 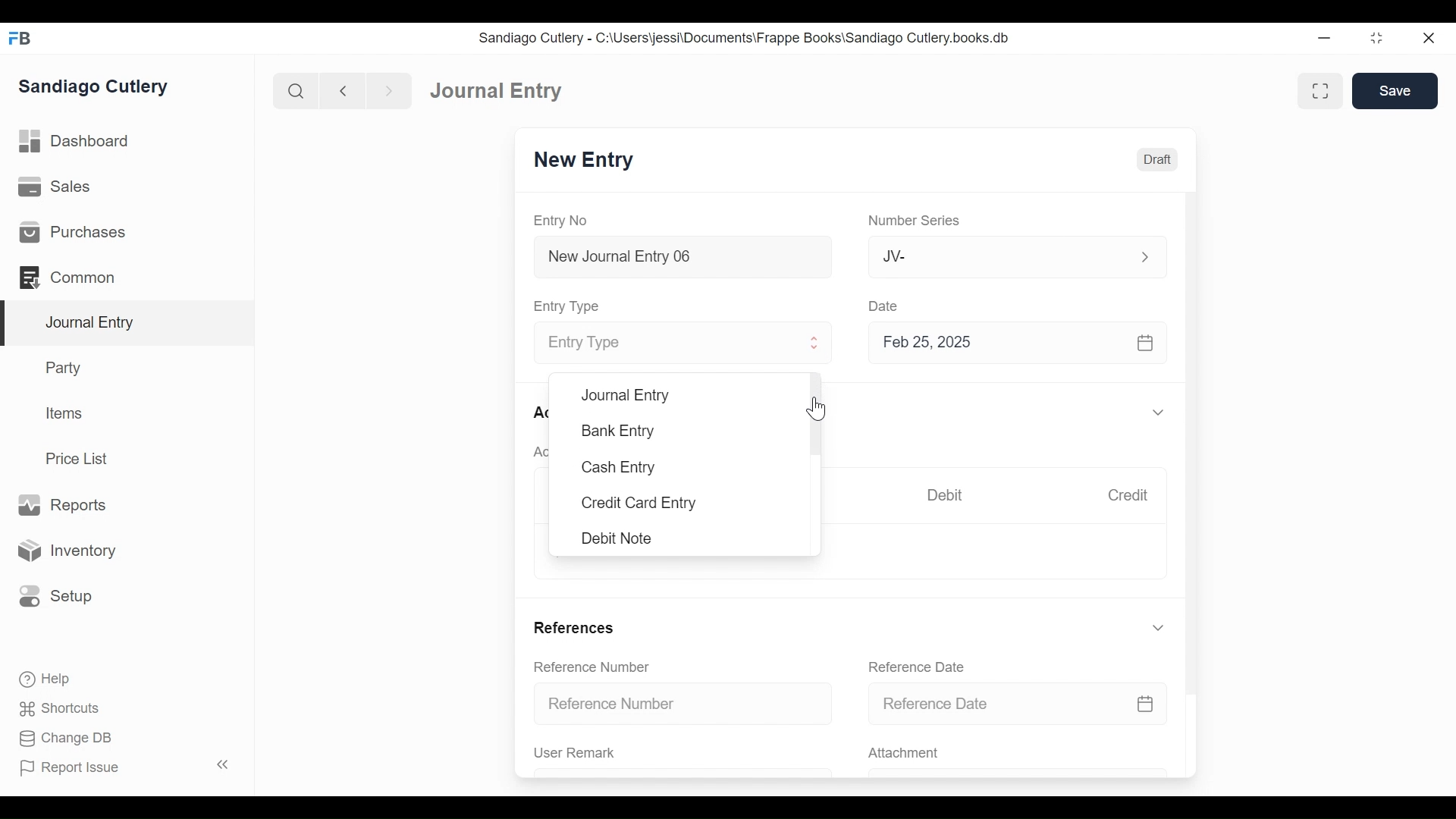 I want to click on Items, so click(x=65, y=413).